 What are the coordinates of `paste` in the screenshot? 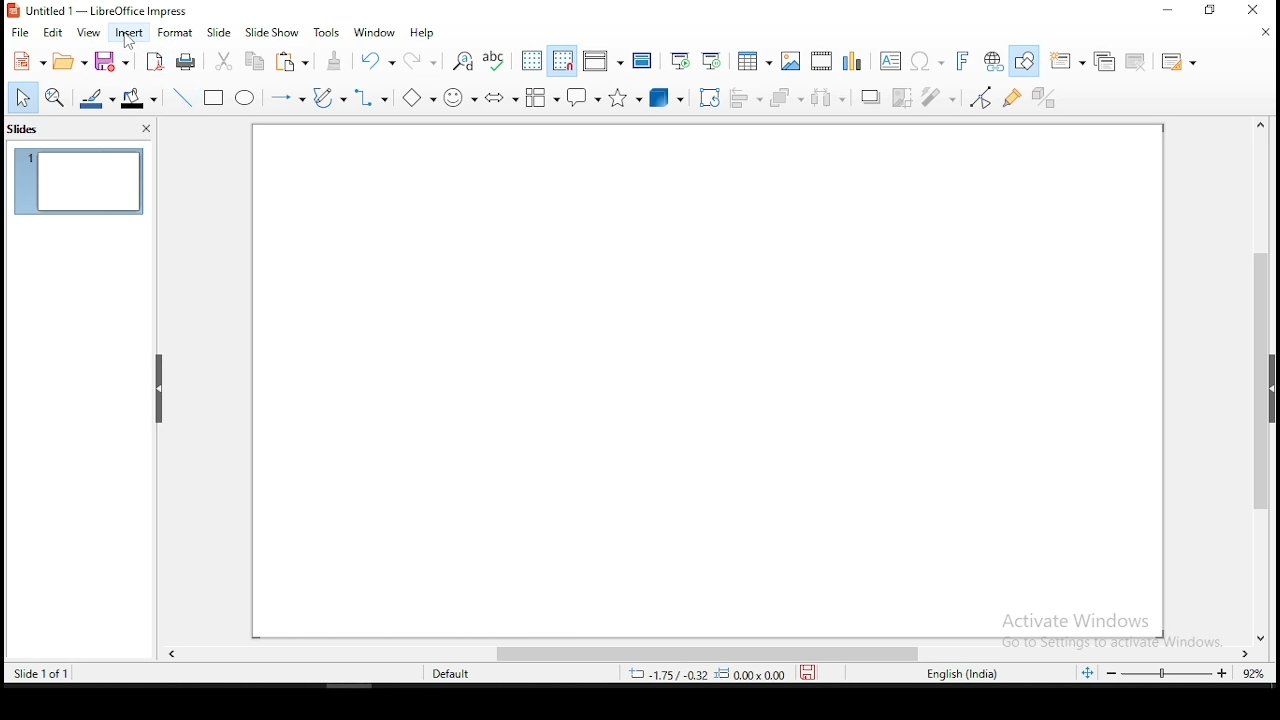 It's located at (294, 62).